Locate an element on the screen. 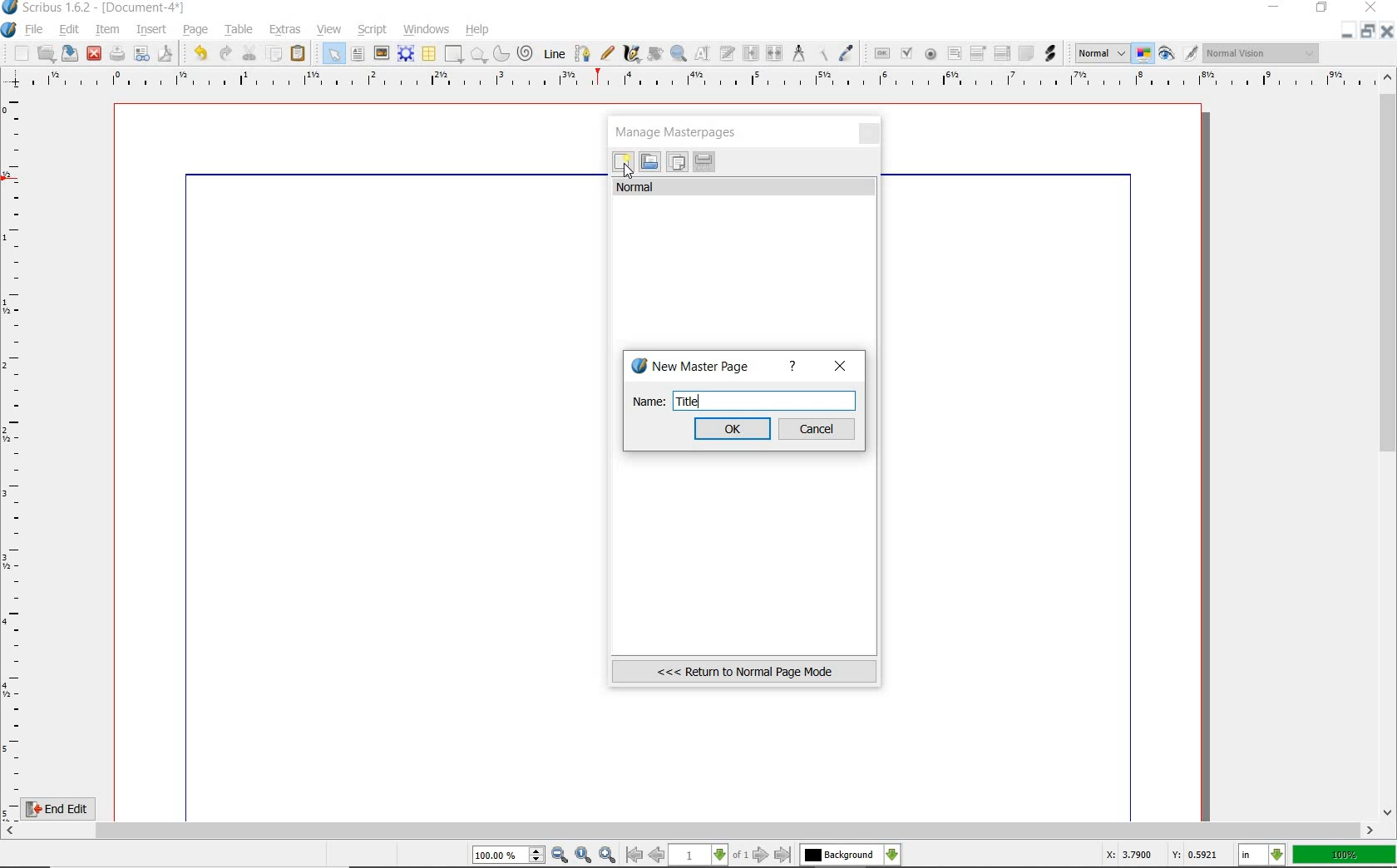 The width and height of the screenshot is (1397, 868). text annotation is located at coordinates (1025, 54).